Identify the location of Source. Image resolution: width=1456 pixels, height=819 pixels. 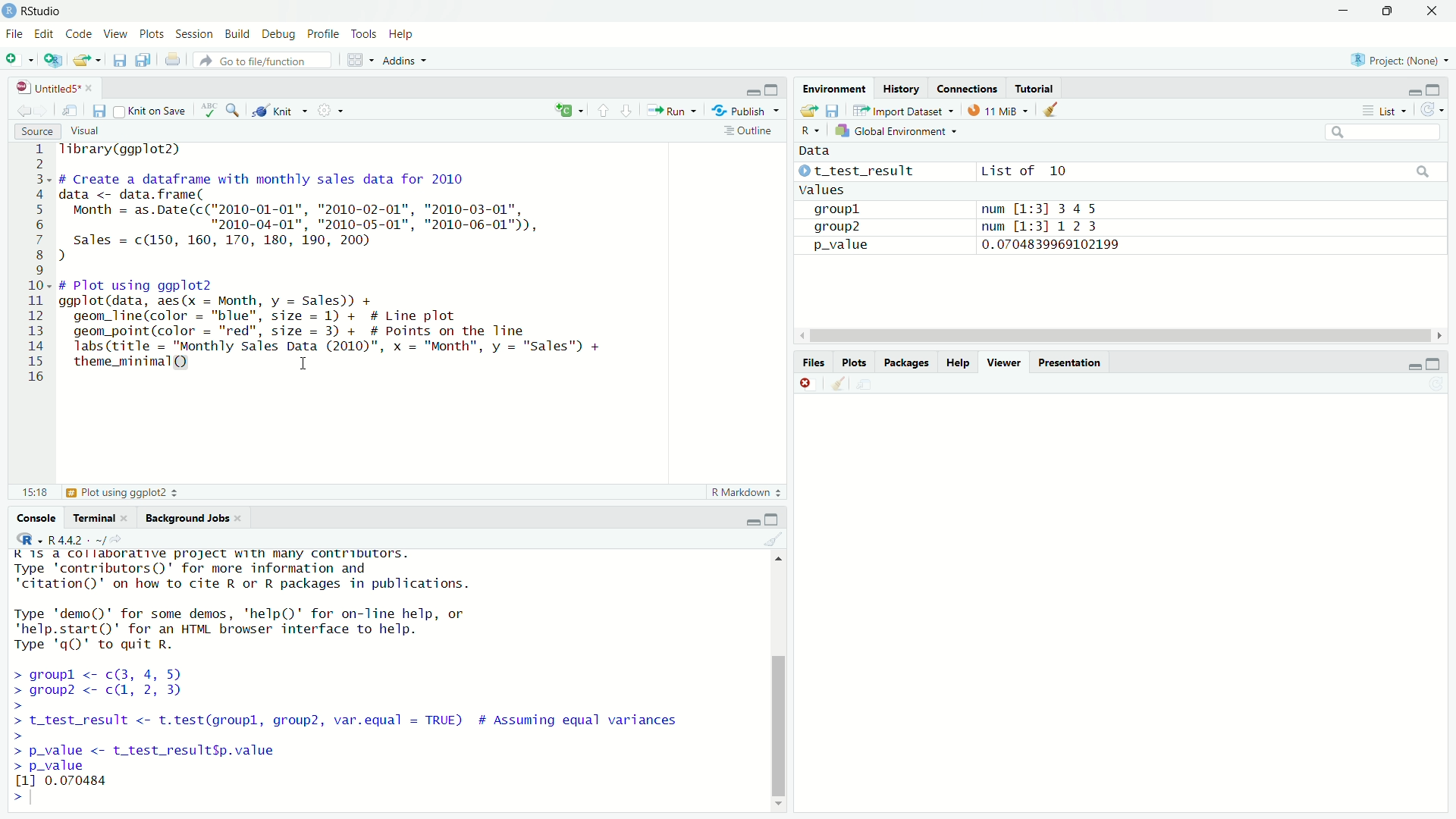
(36, 132).